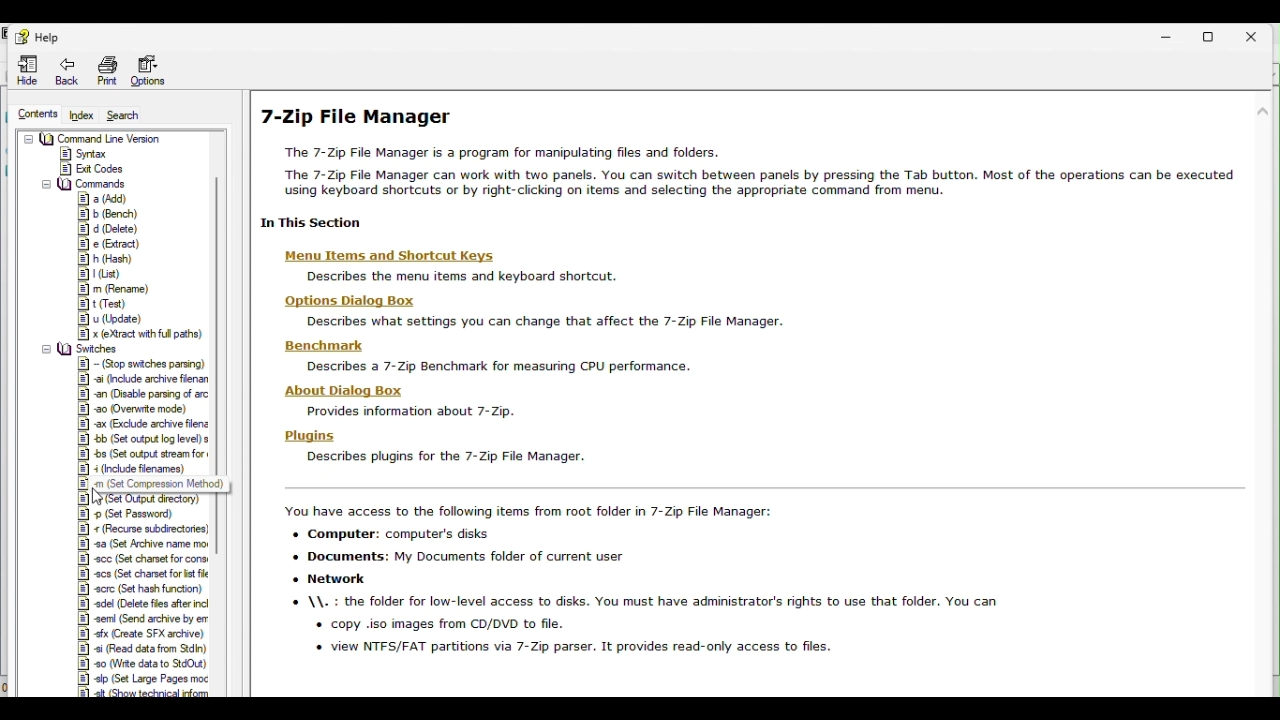 Image resolution: width=1280 pixels, height=720 pixels. Describe the element at coordinates (139, 333) in the screenshot. I see `extract` at that location.